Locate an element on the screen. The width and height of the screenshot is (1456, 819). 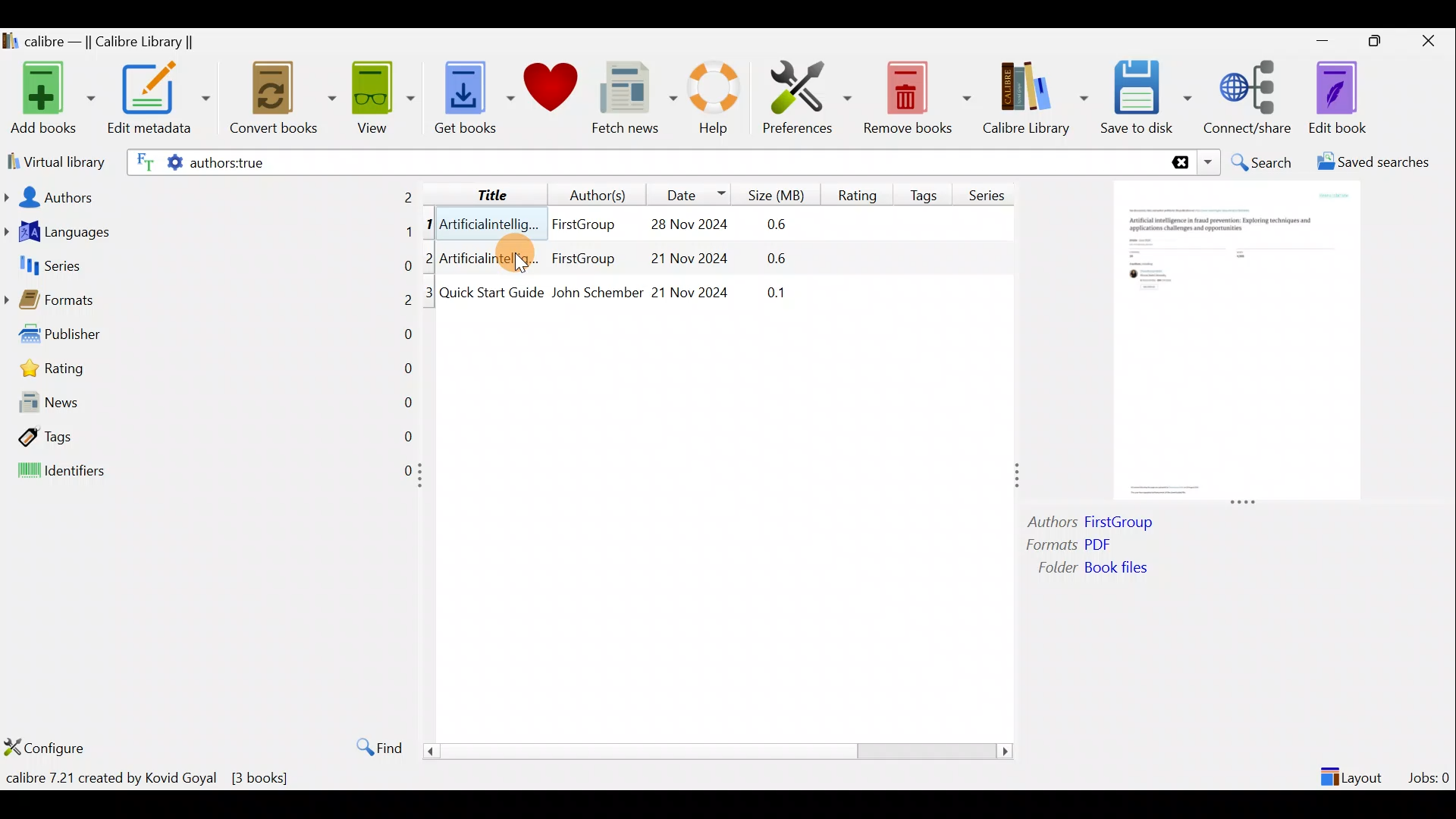
Help is located at coordinates (711, 100).